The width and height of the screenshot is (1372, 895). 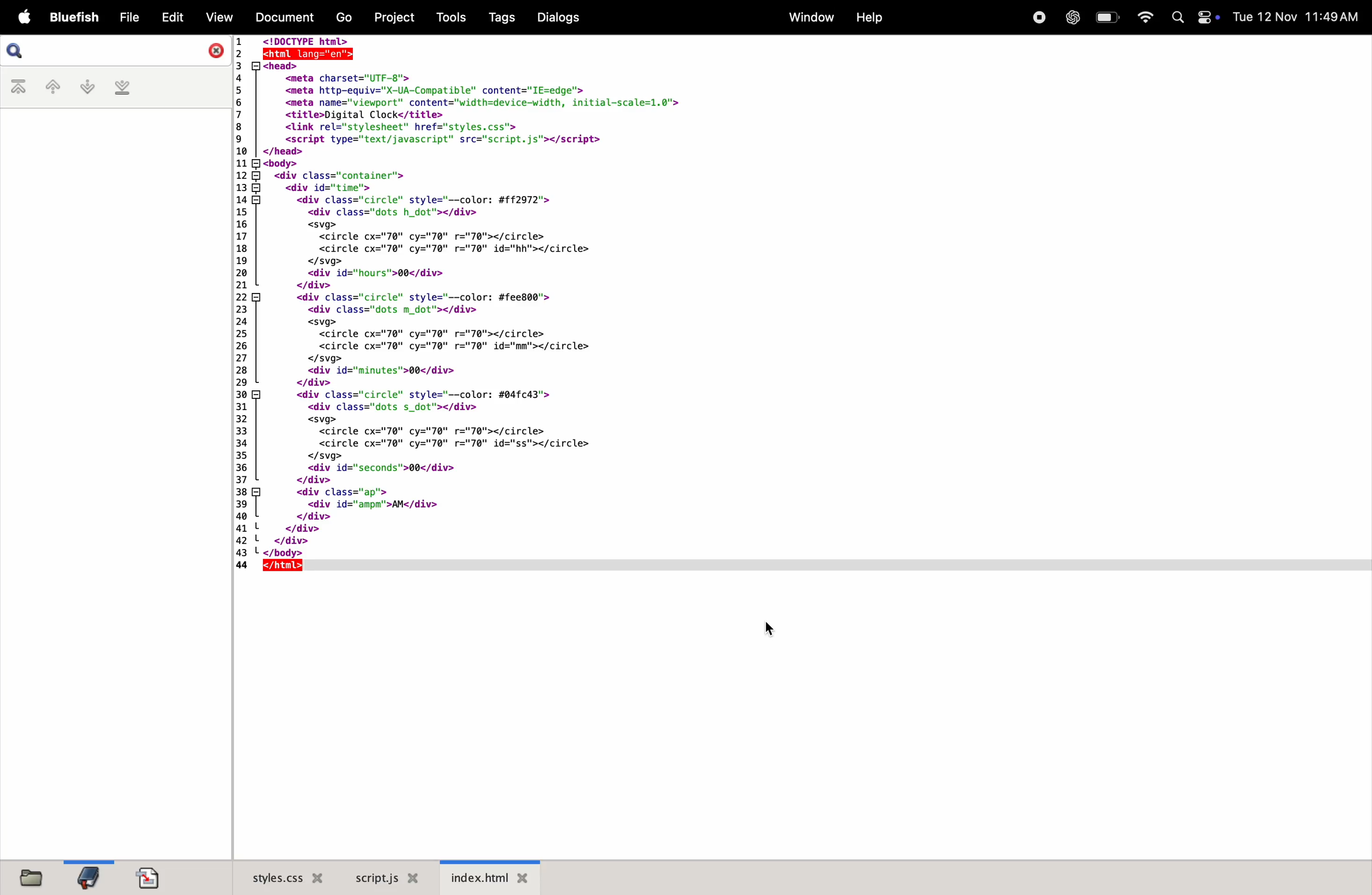 What do you see at coordinates (344, 16) in the screenshot?
I see `go` at bounding box center [344, 16].